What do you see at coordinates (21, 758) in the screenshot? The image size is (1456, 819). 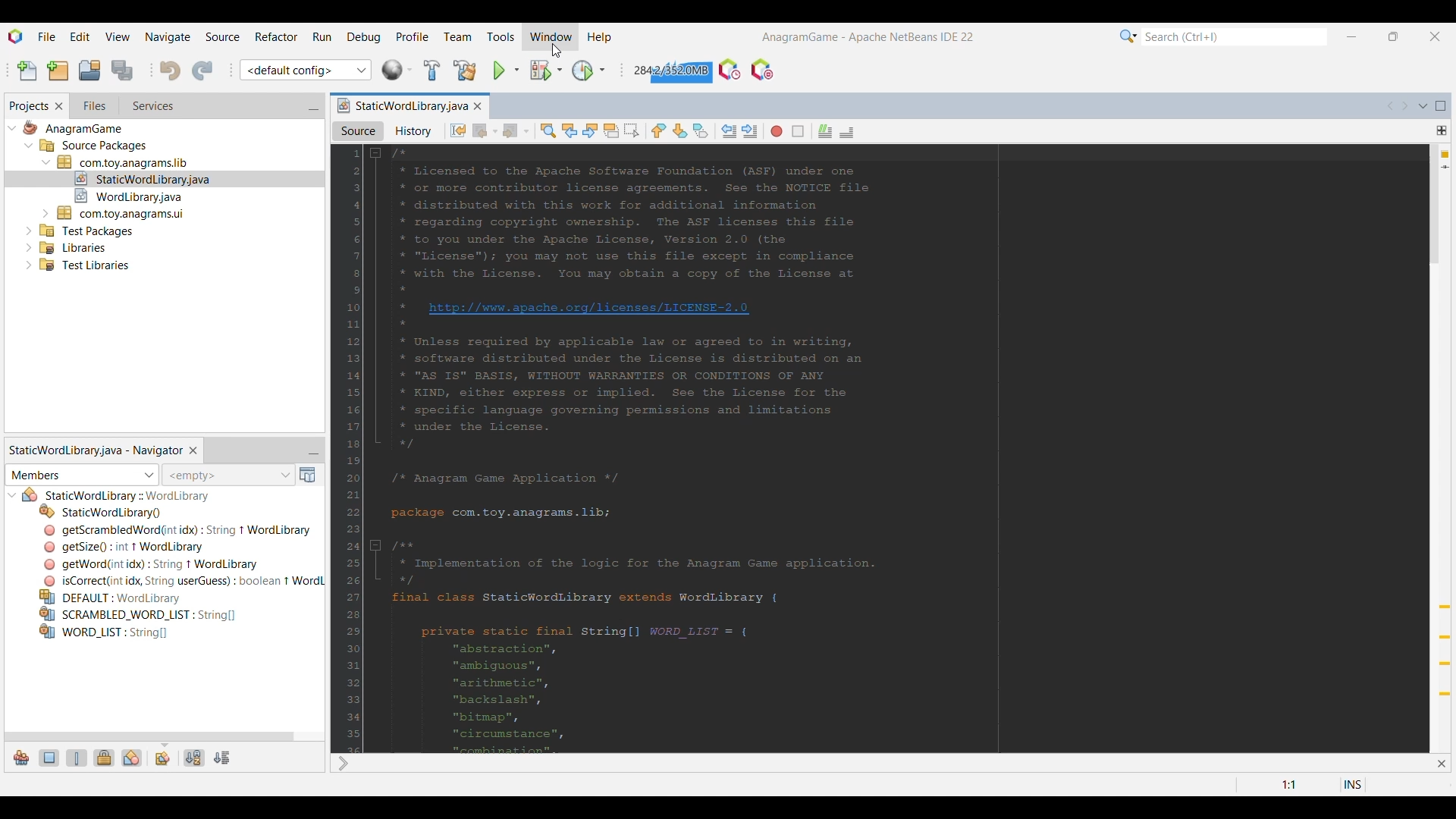 I see `Show inherited members ` at bounding box center [21, 758].